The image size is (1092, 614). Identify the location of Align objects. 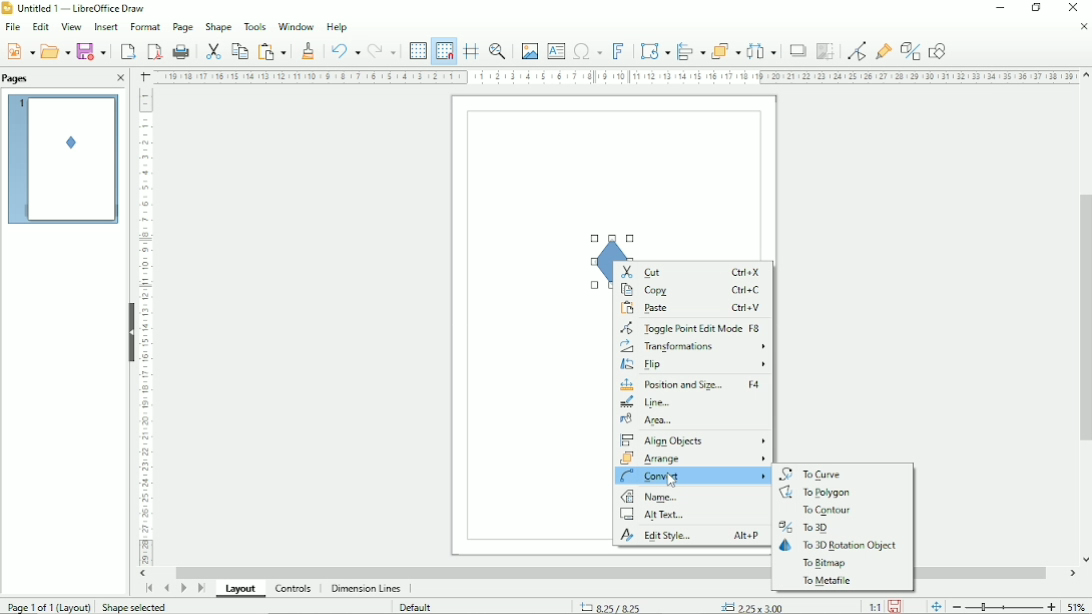
(689, 50).